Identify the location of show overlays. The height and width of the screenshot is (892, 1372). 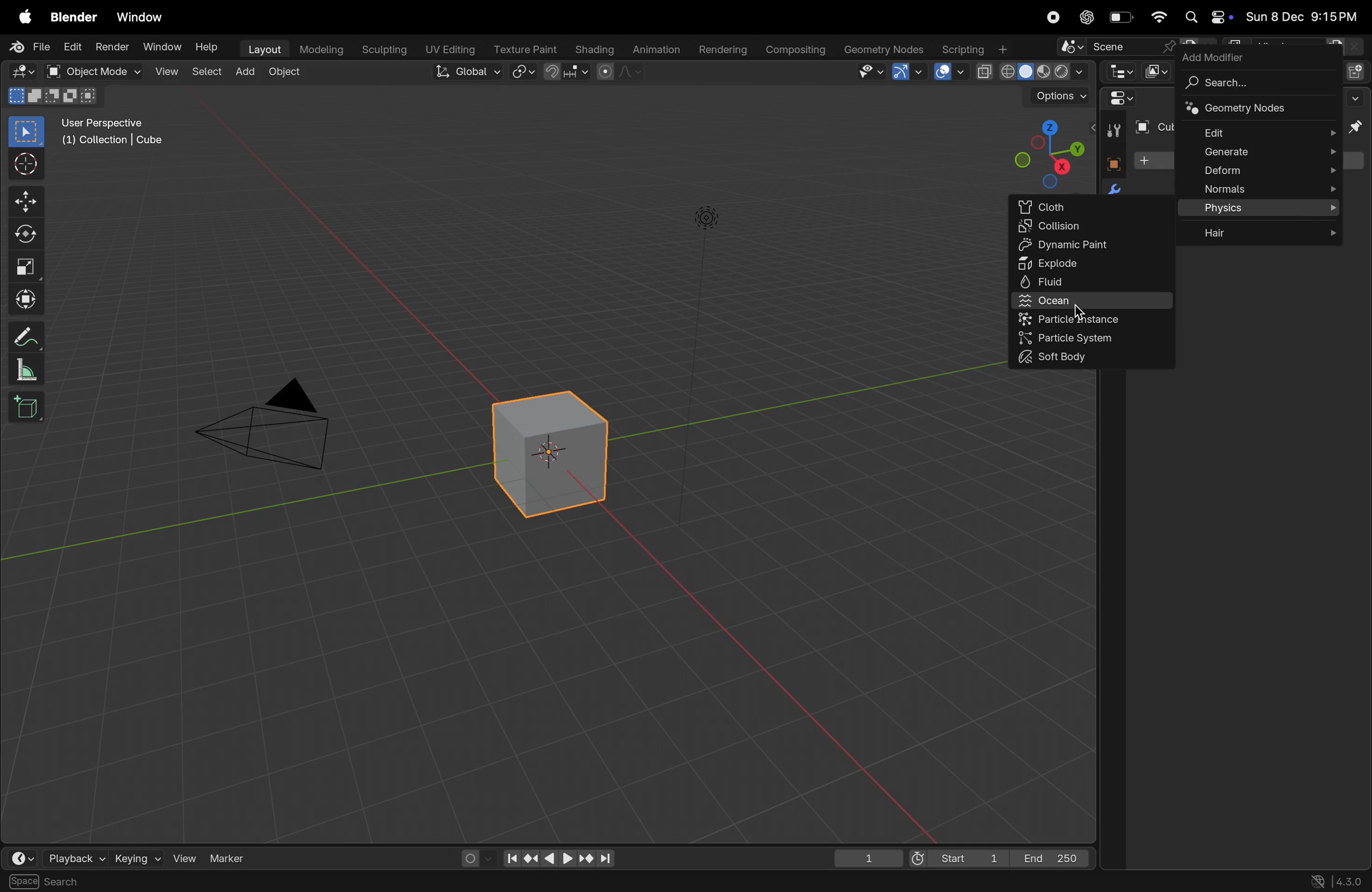
(949, 71).